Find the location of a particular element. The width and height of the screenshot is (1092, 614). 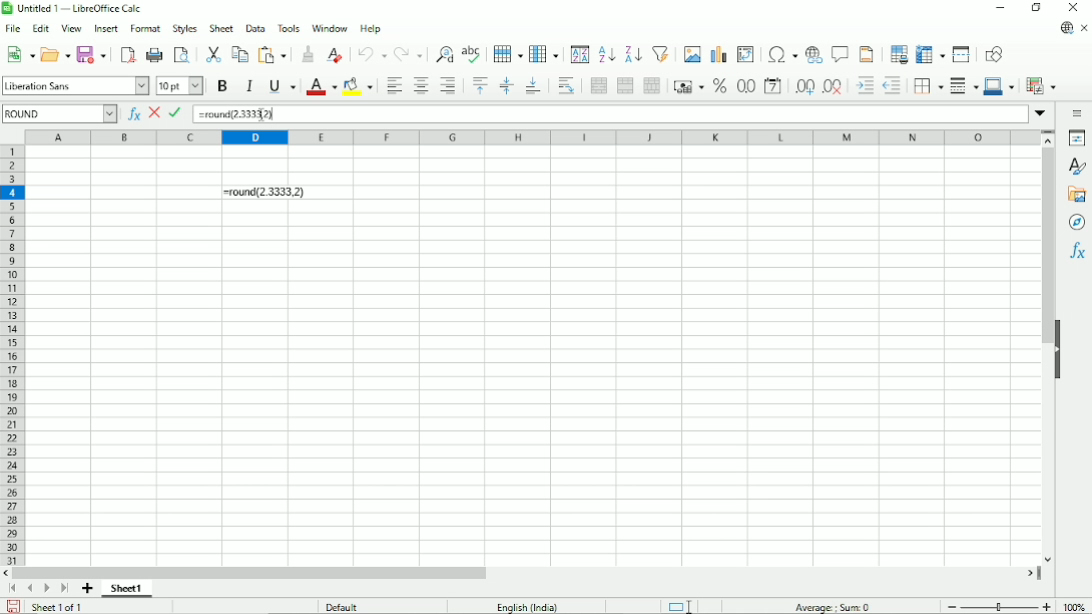

Conditional is located at coordinates (1044, 86).